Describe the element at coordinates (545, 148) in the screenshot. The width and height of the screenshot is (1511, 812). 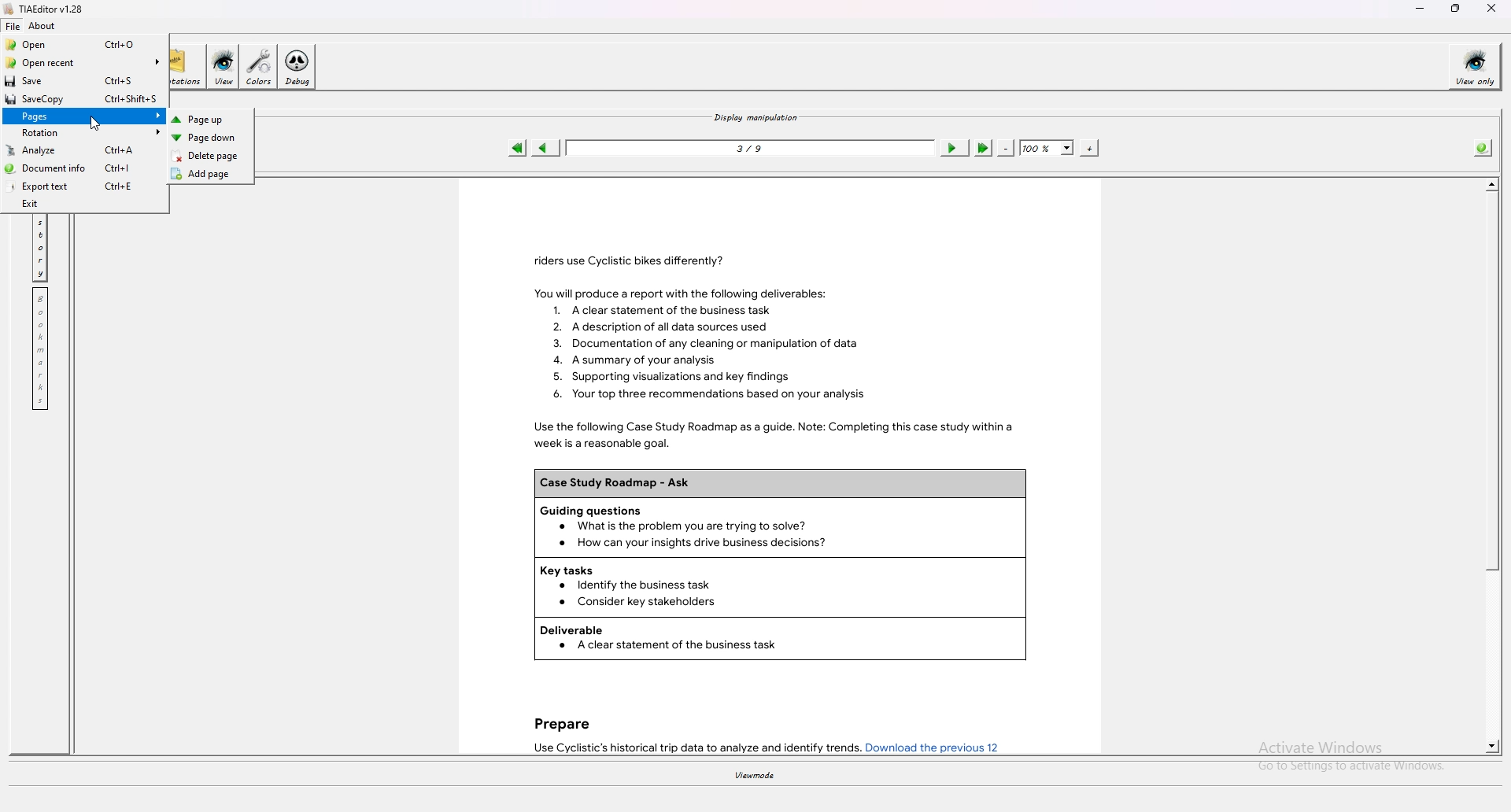
I see `previous page` at that location.